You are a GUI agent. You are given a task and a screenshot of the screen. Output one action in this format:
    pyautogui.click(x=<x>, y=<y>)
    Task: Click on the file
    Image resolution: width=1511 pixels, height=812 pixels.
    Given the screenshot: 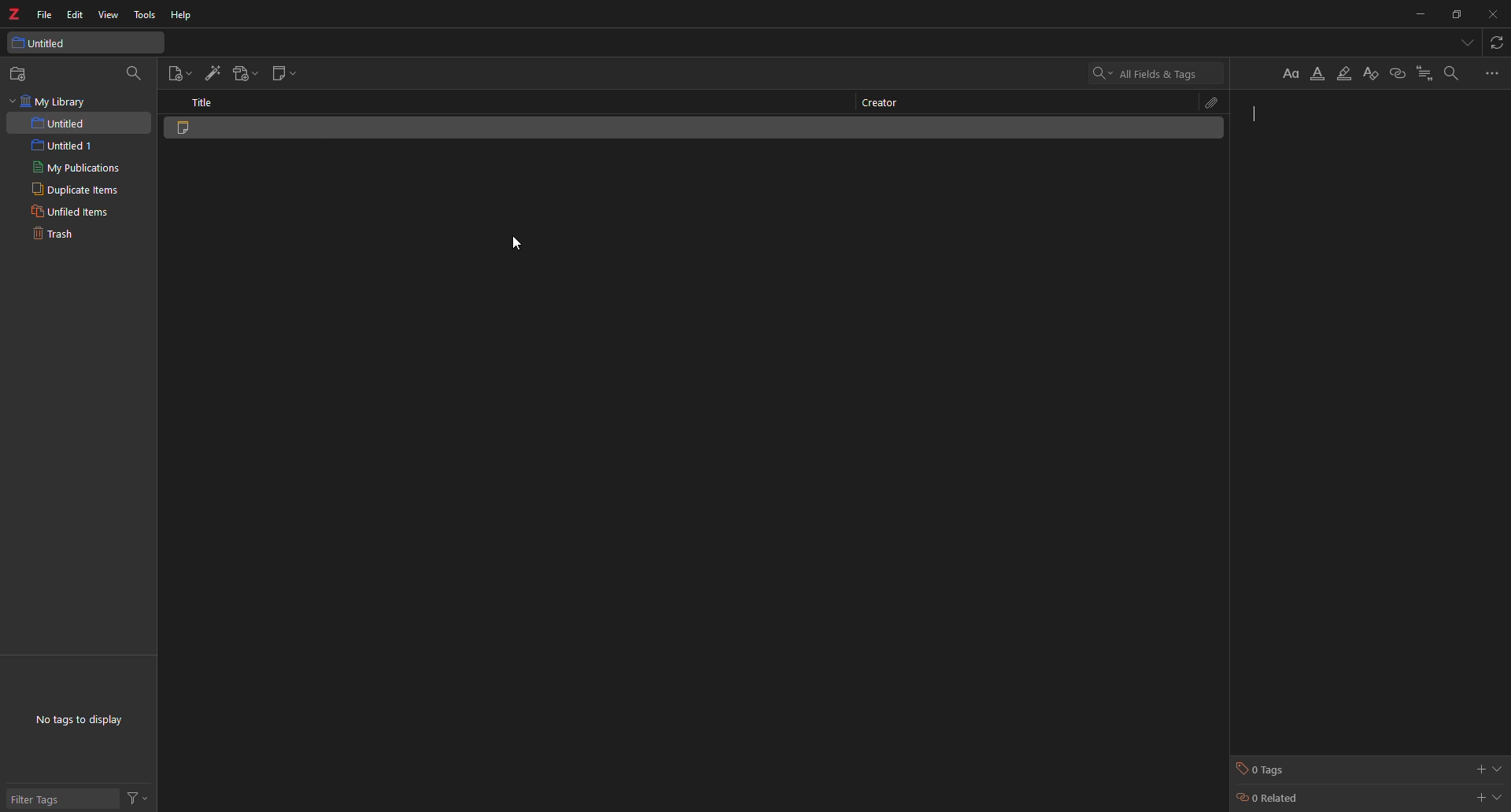 What is the action you would take?
    pyautogui.click(x=44, y=14)
    